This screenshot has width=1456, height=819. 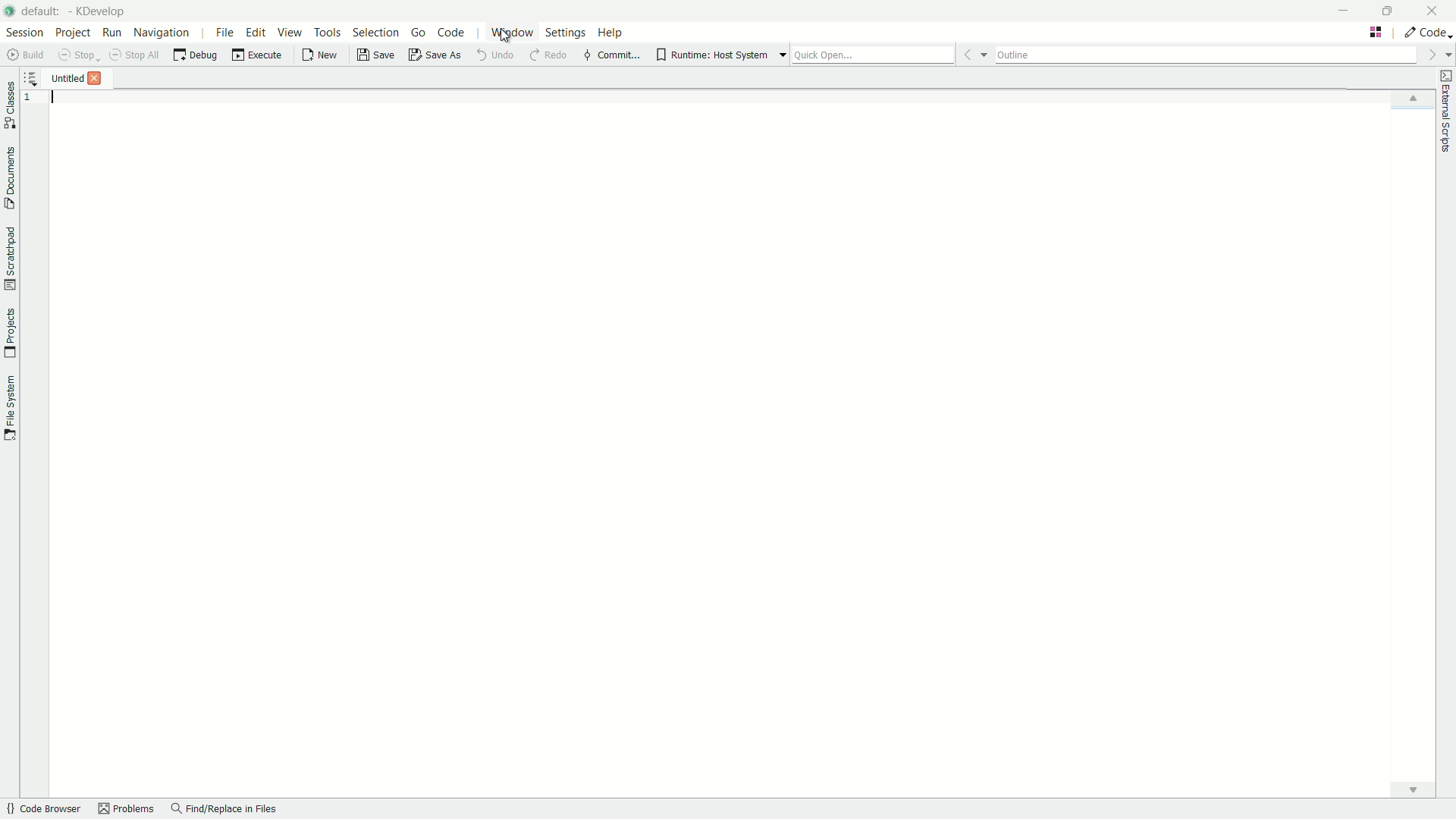 I want to click on execute actions to change the area, so click(x=1428, y=34).